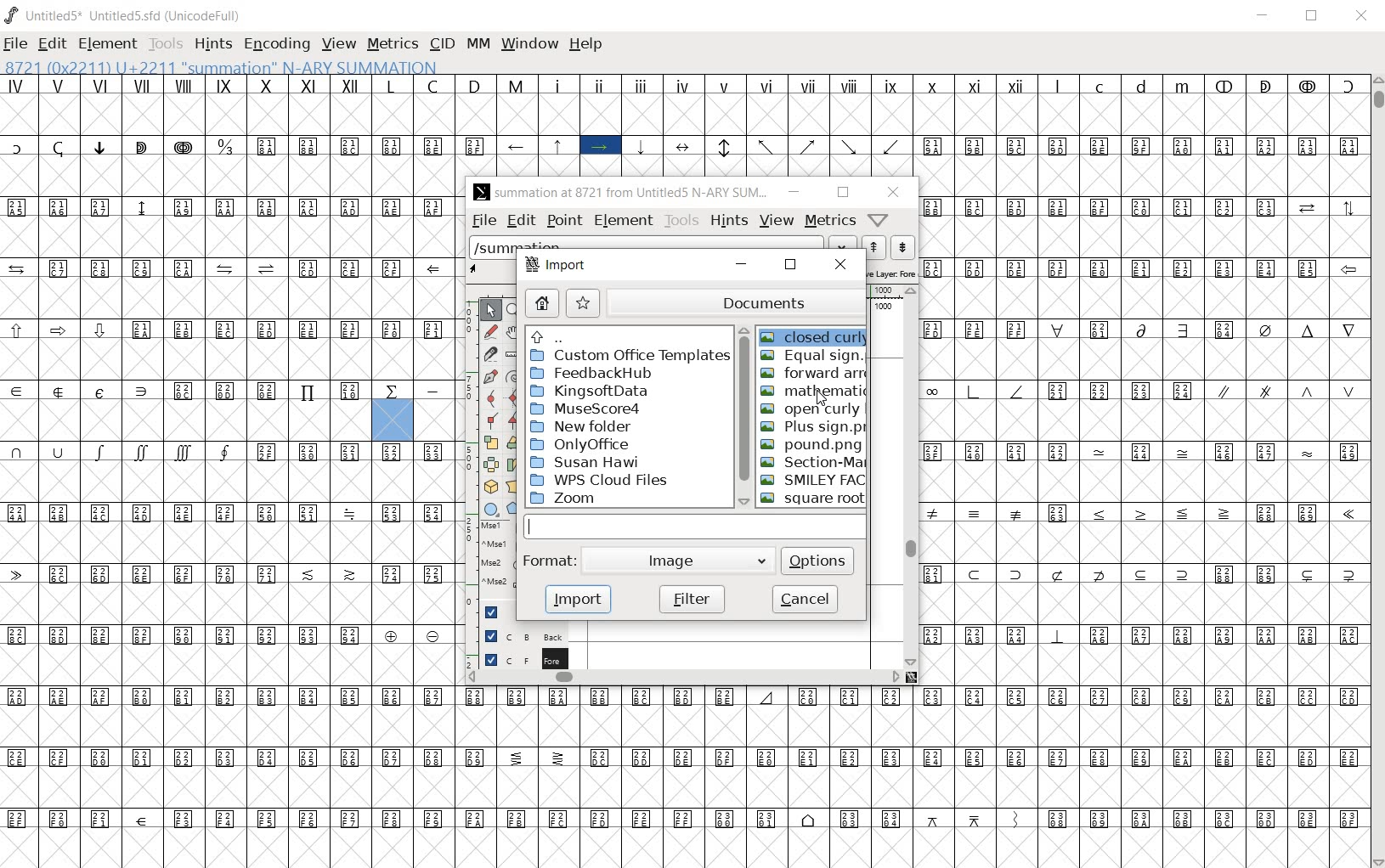 This screenshot has height=868, width=1385. What do you see at coordinates (842, 193) in the screenshot?
I see `restore` at bounding box center [842, 193].